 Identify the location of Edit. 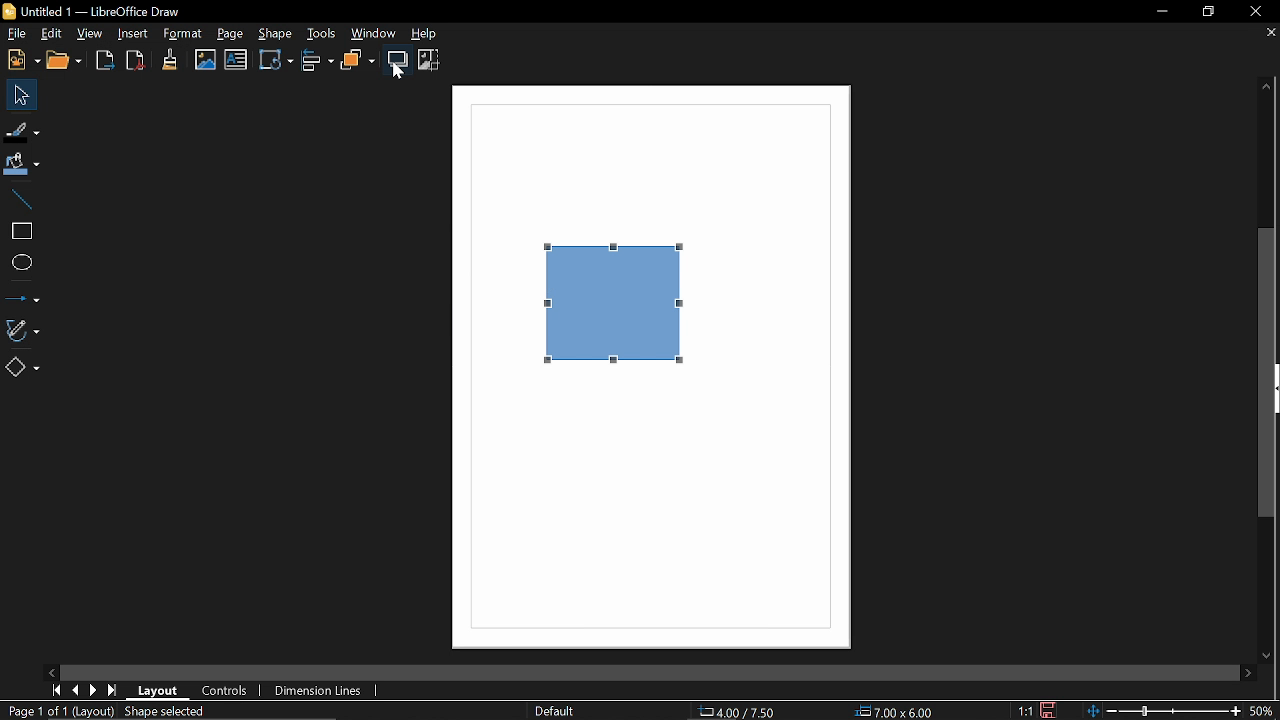
(51, 35).